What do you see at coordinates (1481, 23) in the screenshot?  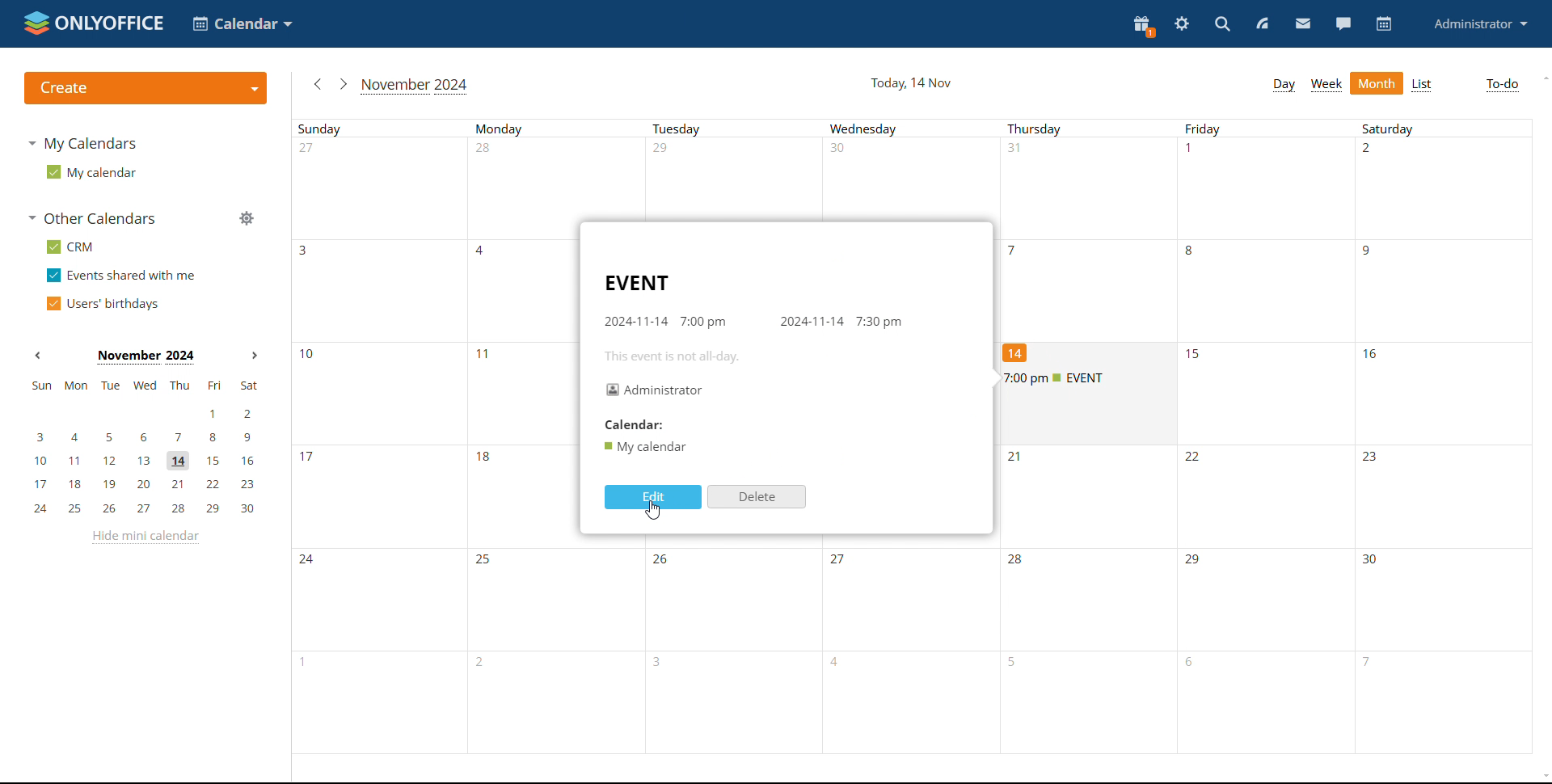 I see `profile` at bounding box center [1481, 23].